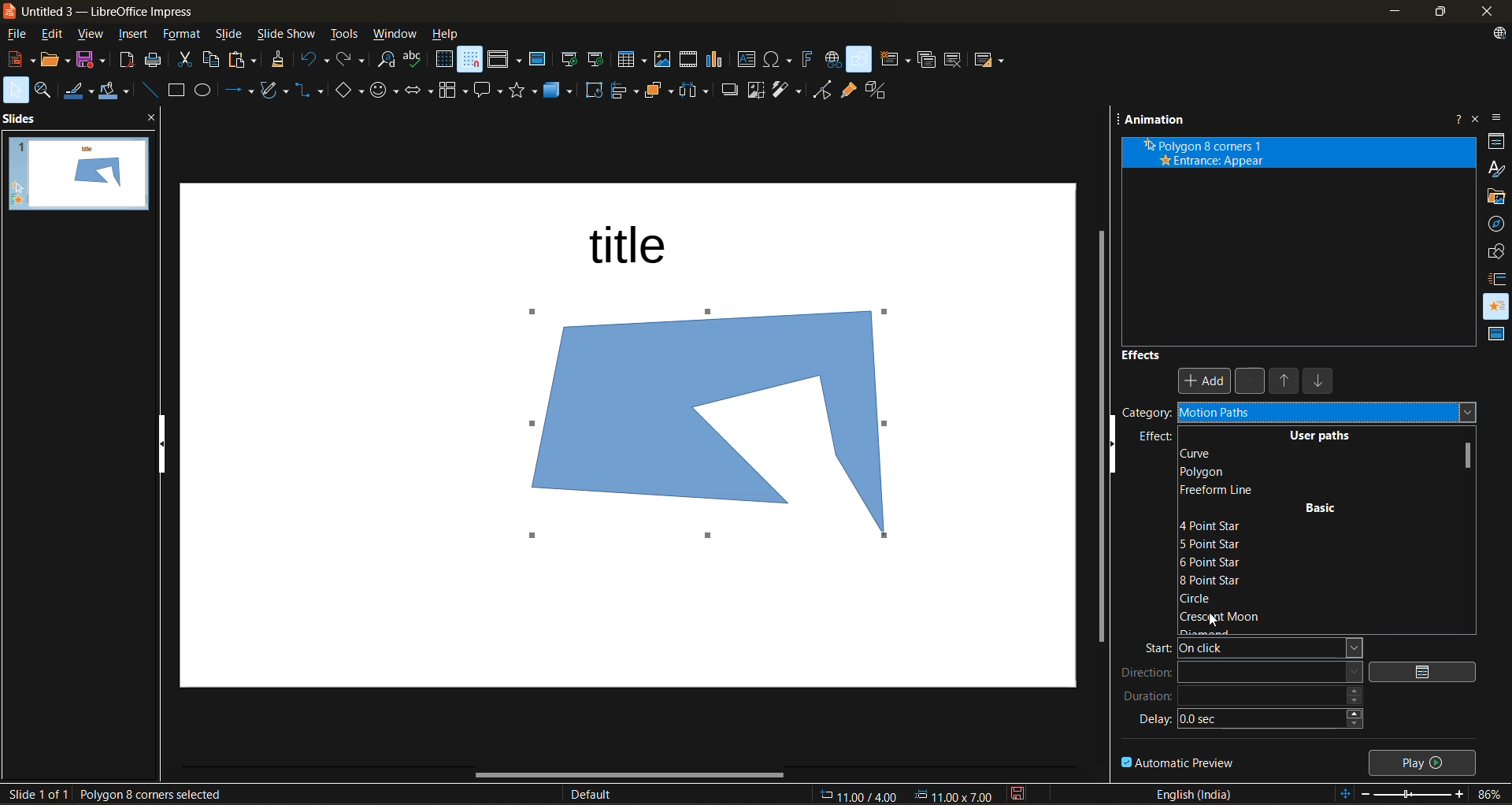  Describe the element at coordinates (87, 173) in the screenshot. I see `slides` at that location.